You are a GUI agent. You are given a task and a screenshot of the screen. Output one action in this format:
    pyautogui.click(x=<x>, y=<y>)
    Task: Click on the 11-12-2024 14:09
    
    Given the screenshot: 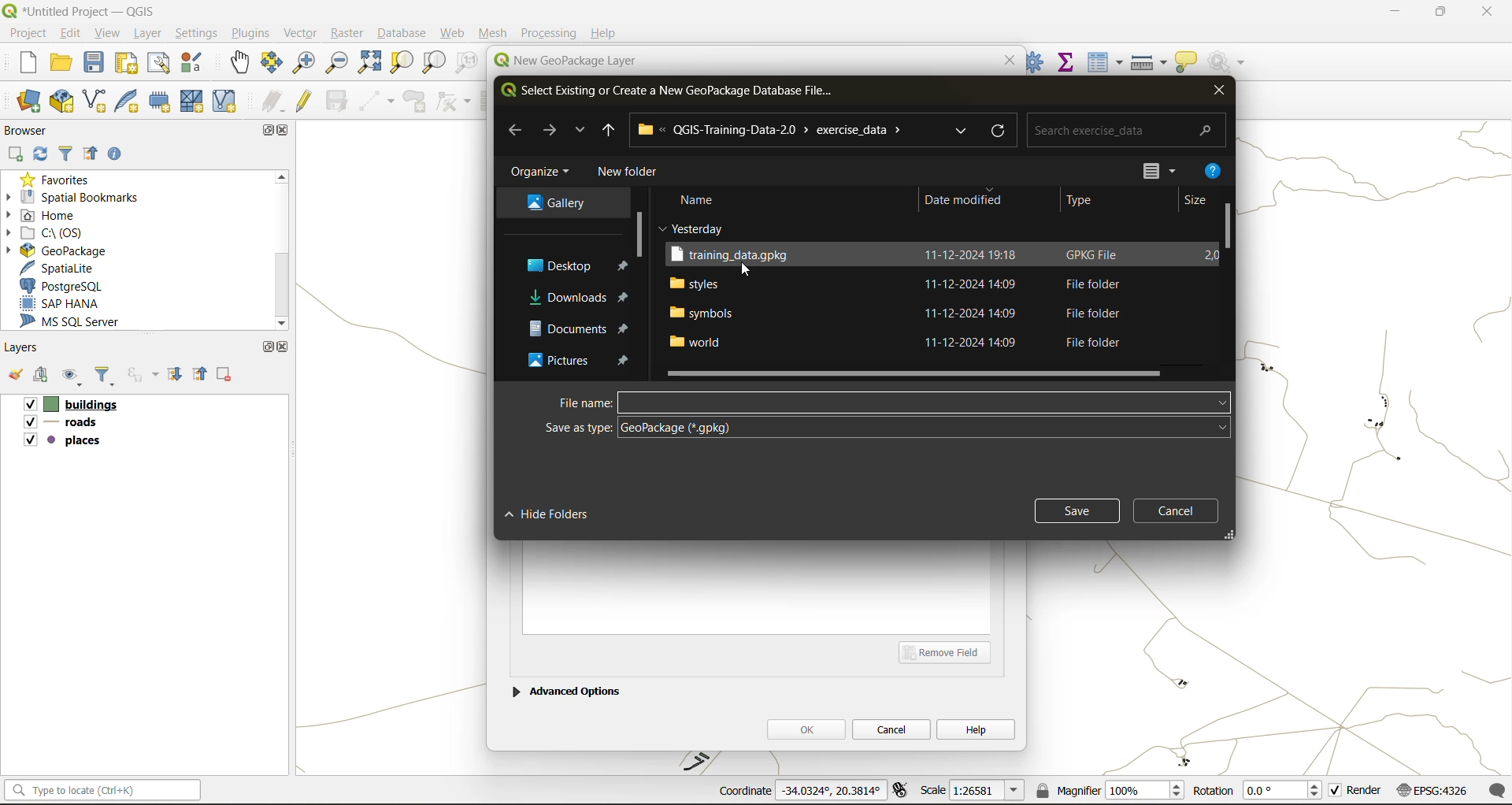 What is the action you would take?
    pyautogui.click(x=976, y=284)
    